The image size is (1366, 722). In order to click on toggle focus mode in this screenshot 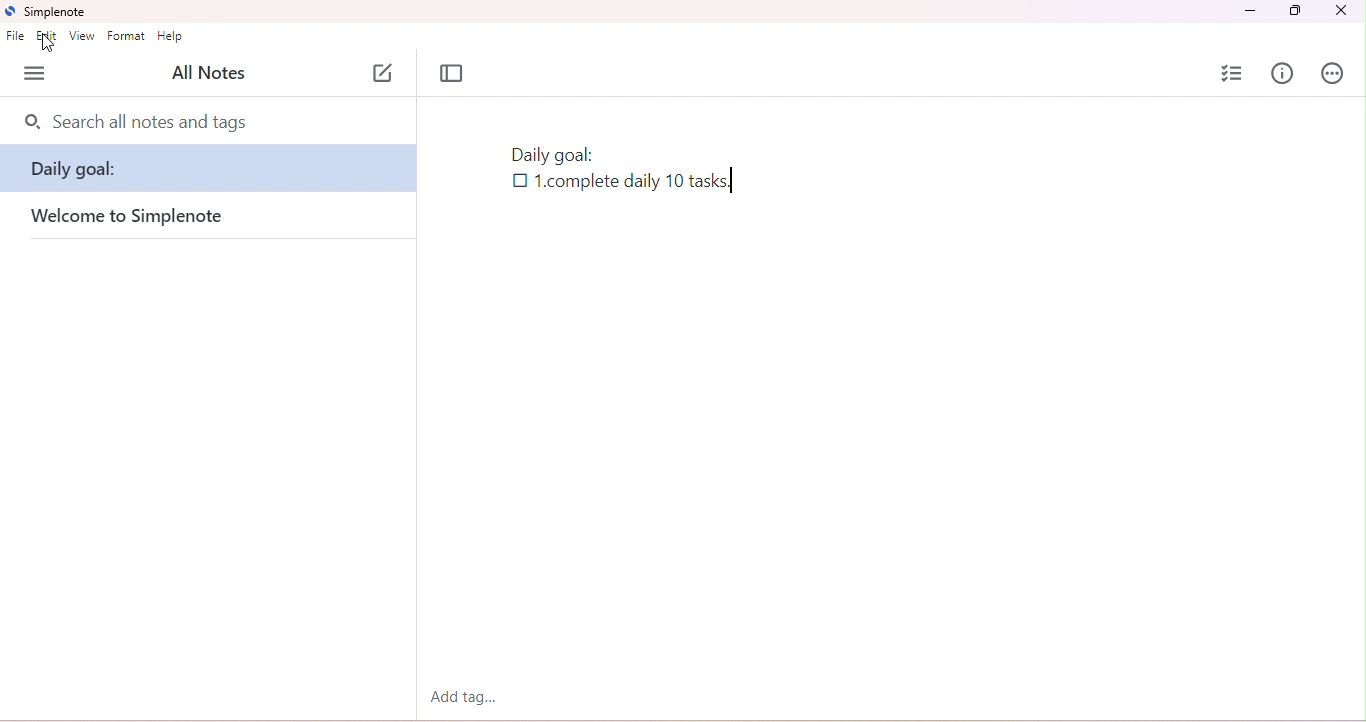, I will do `click(452, 74)`.